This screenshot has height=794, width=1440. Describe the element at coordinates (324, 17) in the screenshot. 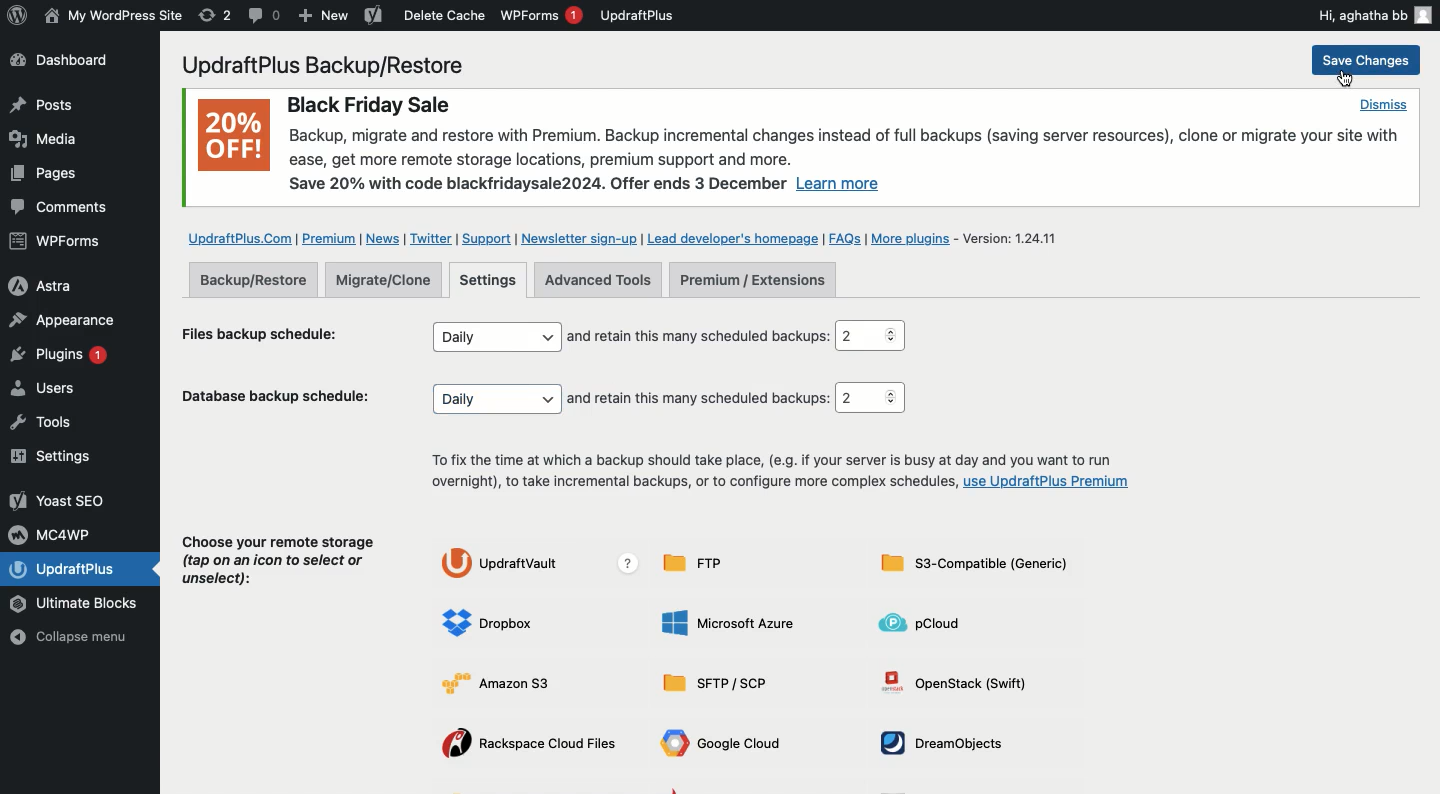

I see `New` at that location.